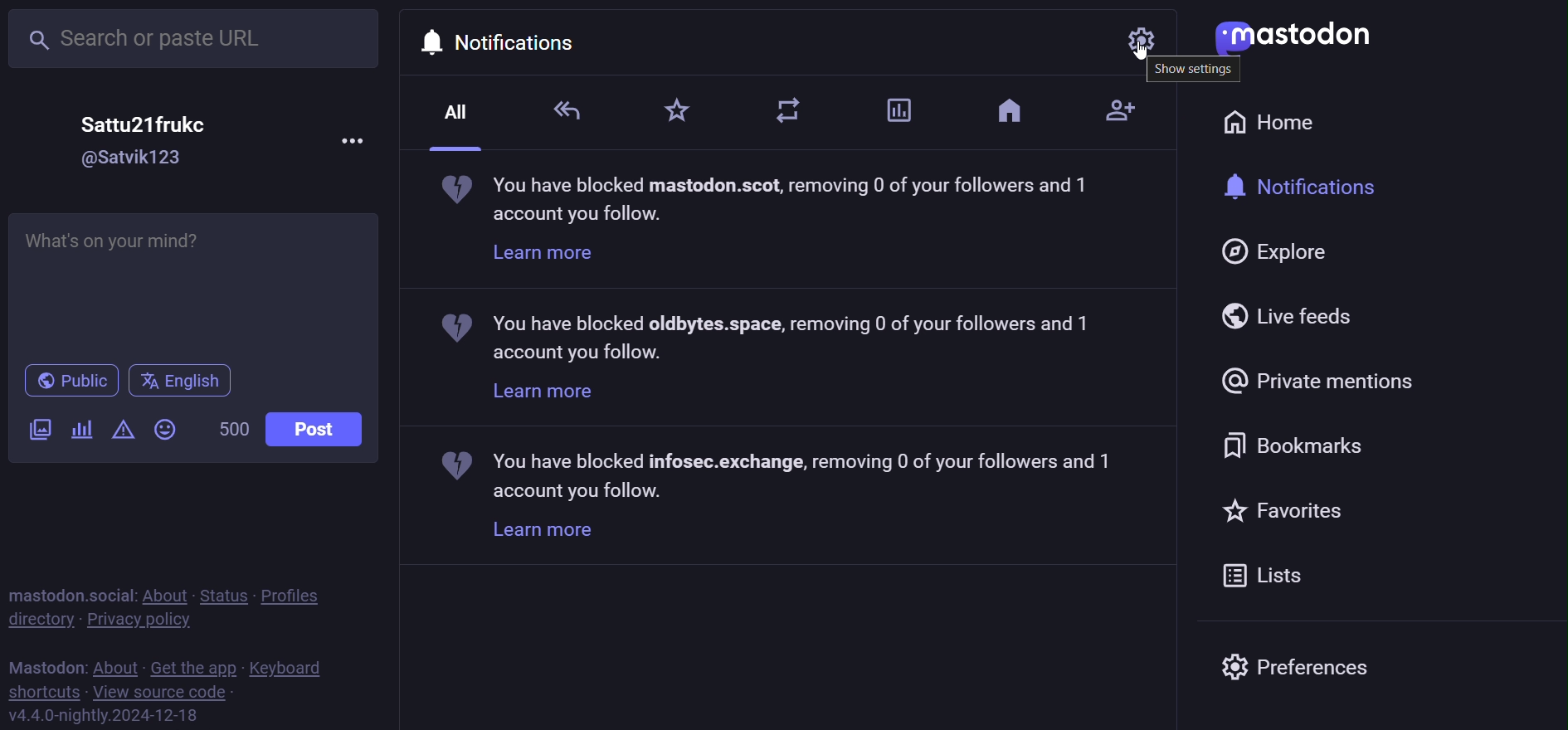 The height and width of the screenshot is (730, 1568). I want to click on mastodon, so click(46, 664).